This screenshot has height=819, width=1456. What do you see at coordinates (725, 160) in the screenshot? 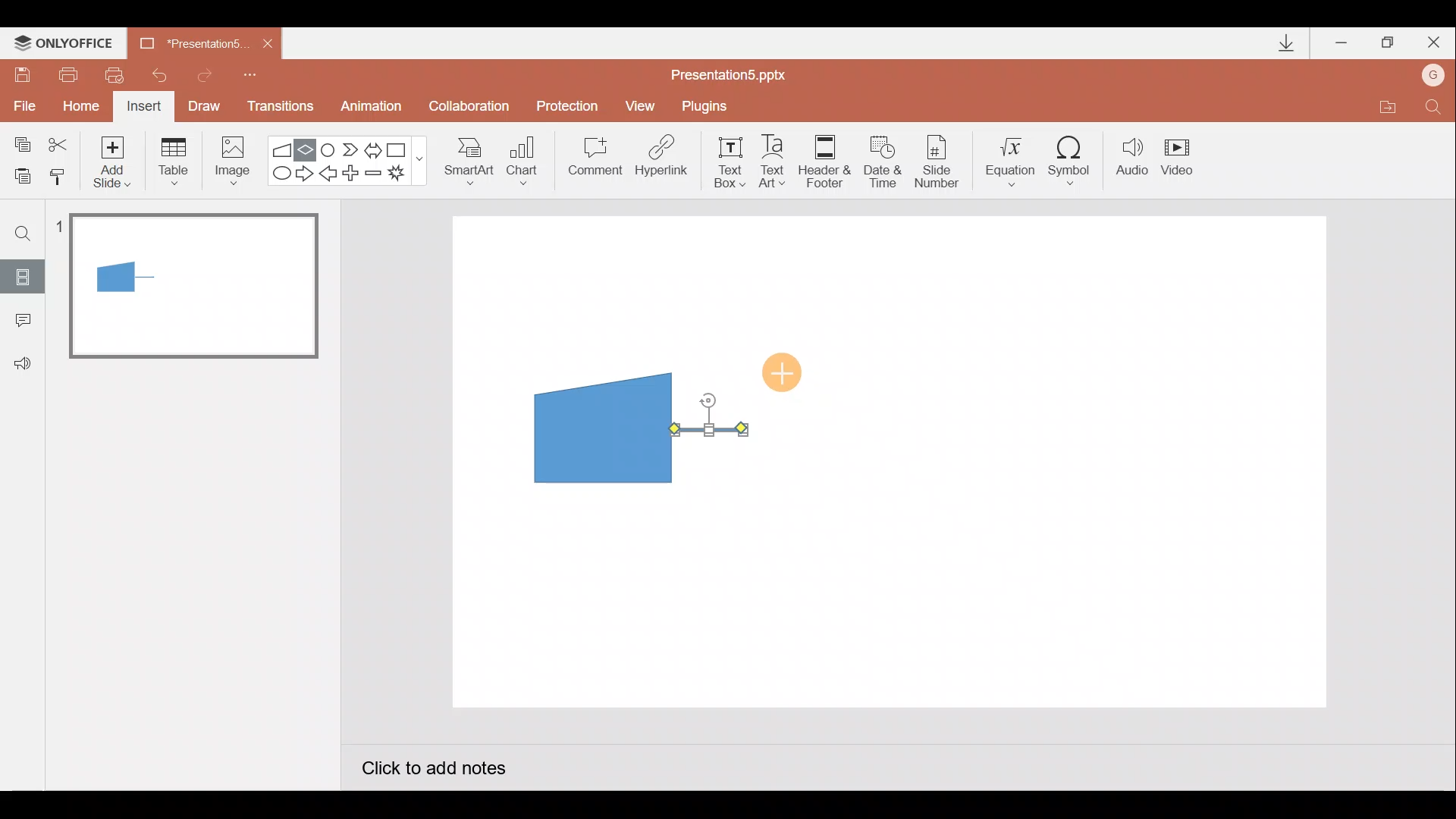
I see `Text box` at bounding box center [725, 160].